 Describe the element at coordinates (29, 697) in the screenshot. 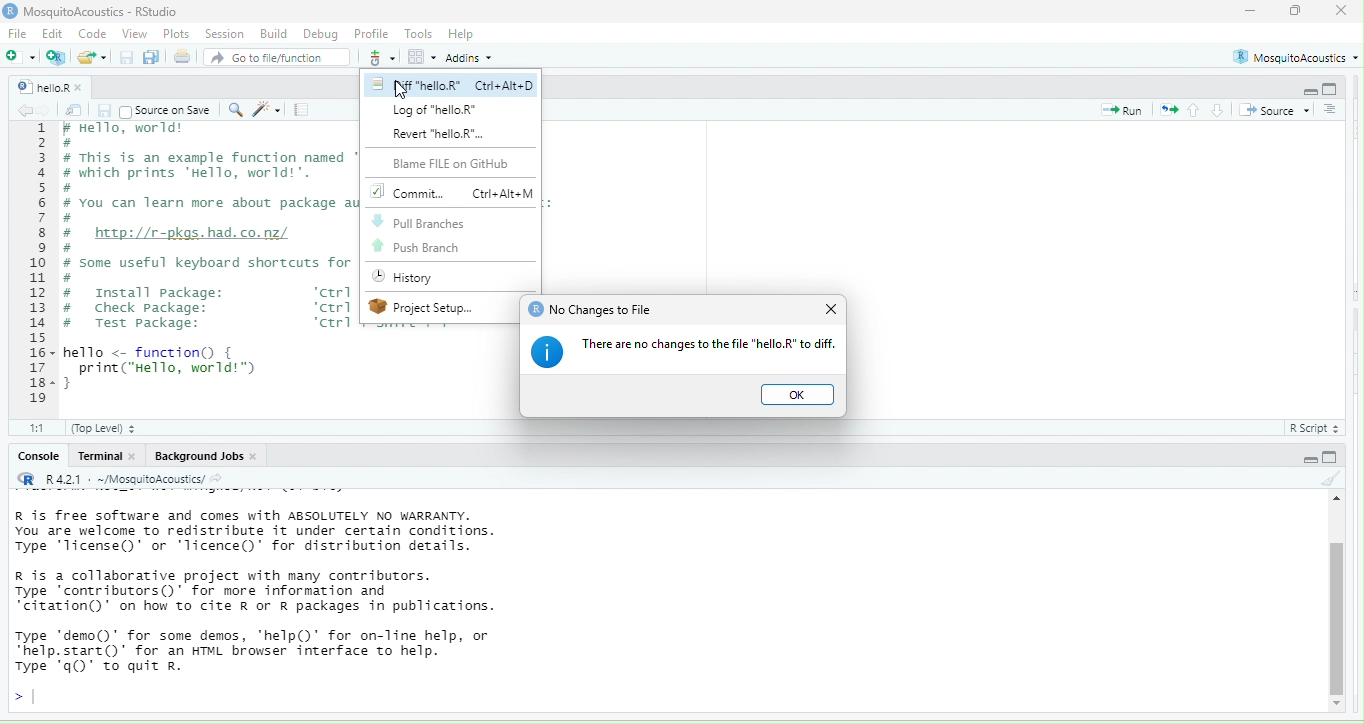

I see `typing cursor` at that location.